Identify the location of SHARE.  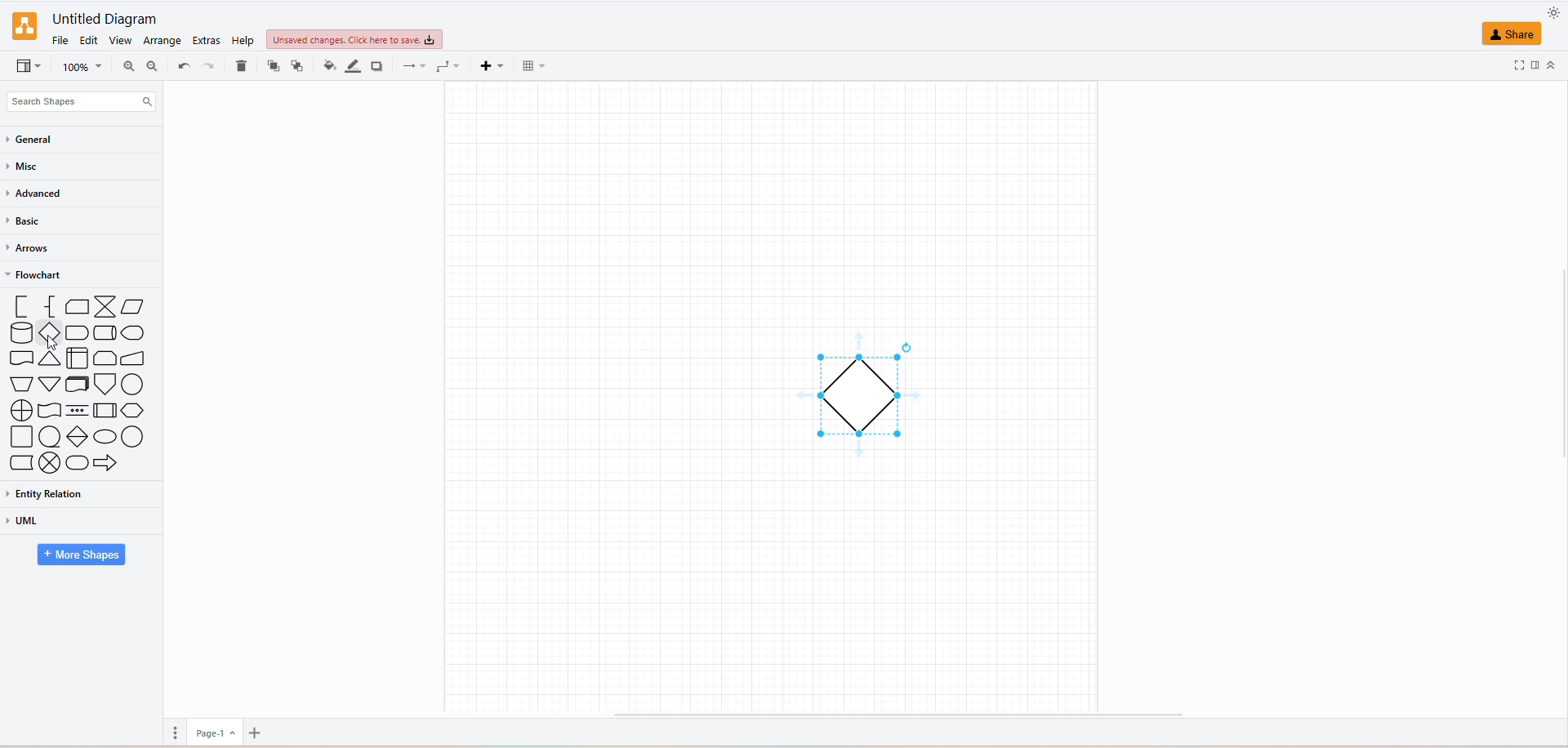
(1516, 36).